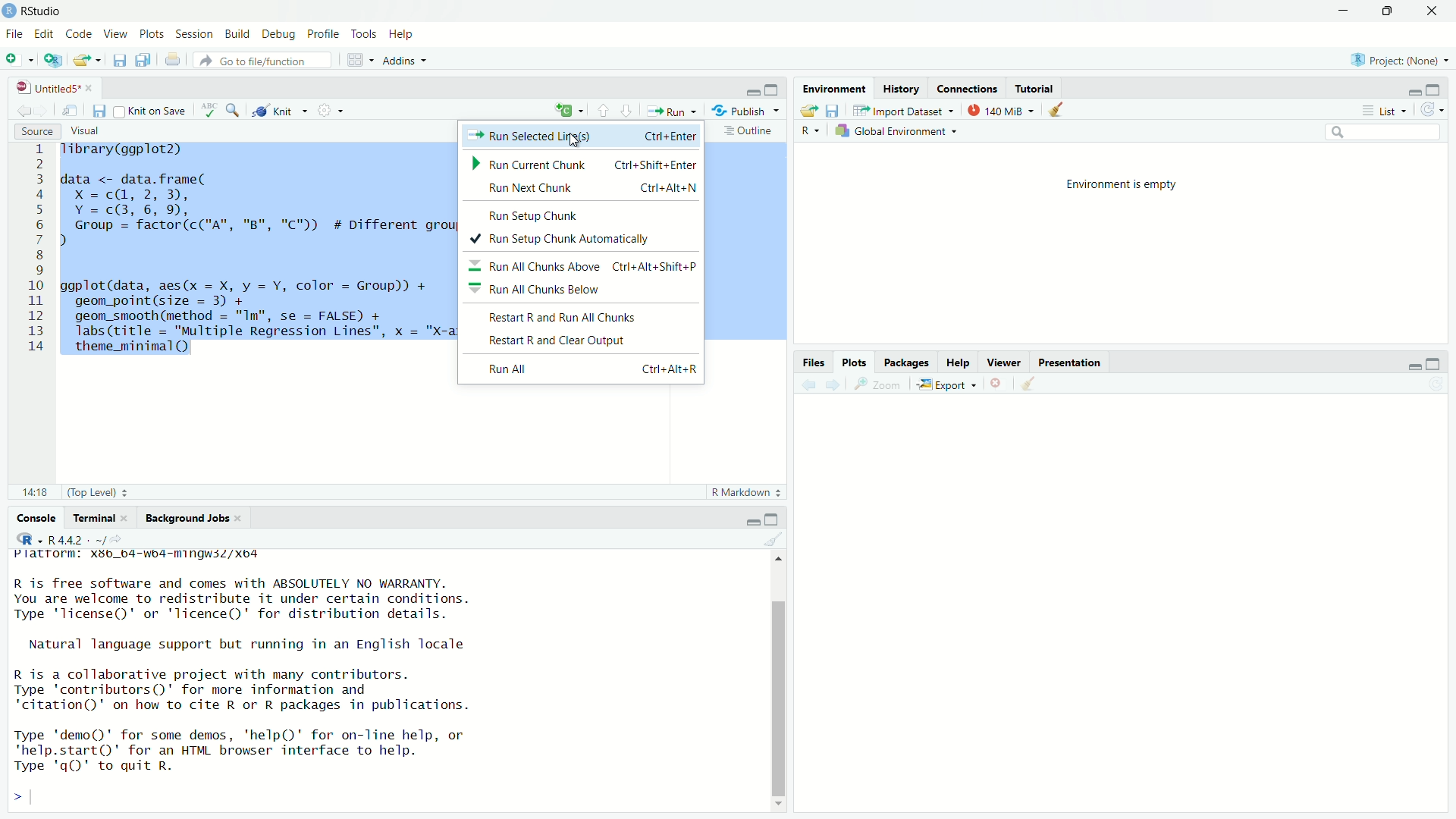 Image resolution: width=1456 pixels, height=819 pixels. Describe the element at coordinates (996, 384) in the screenshot. I see `close` at that location.